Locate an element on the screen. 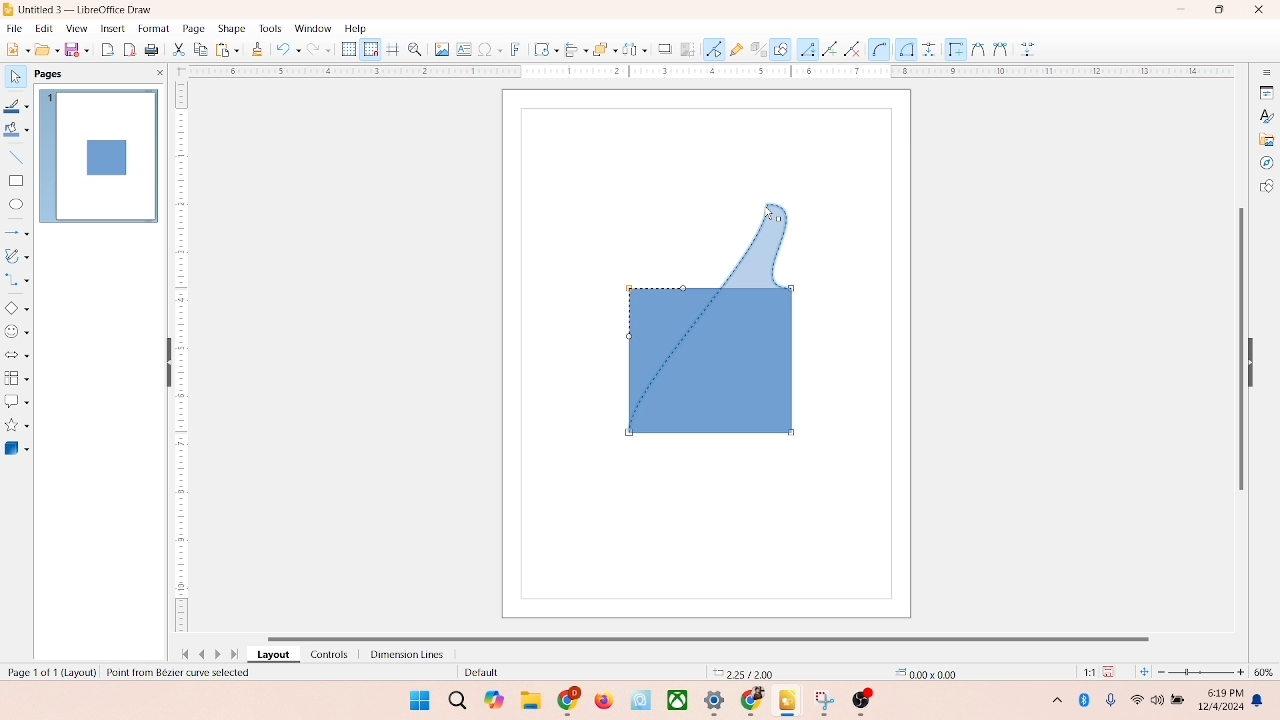  Circle or Ellipse tool (Arc-specific) is located at coordinates (880, 50).